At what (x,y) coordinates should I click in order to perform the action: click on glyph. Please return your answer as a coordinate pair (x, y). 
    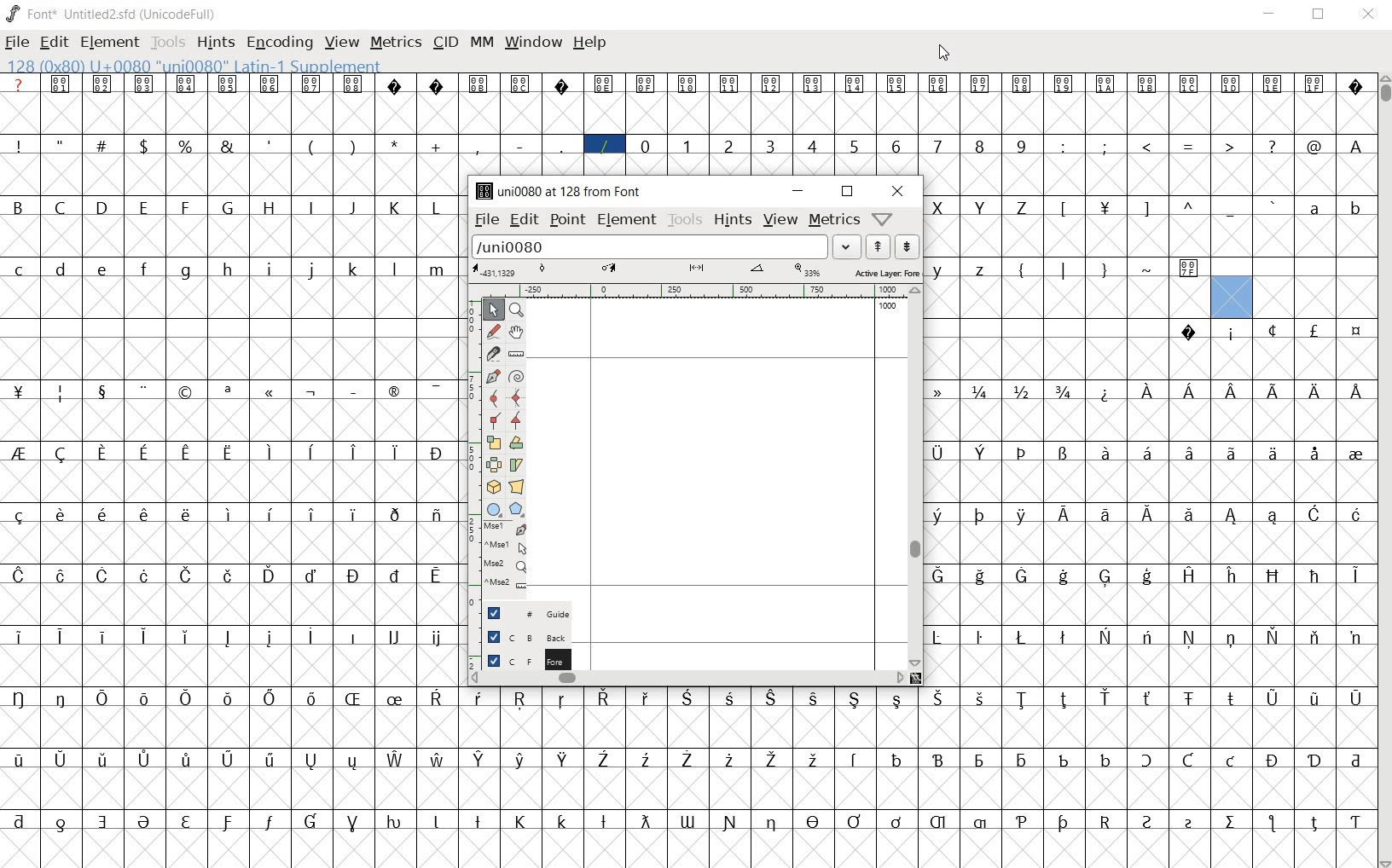
    Looking at the image, I should click on (227, 146).